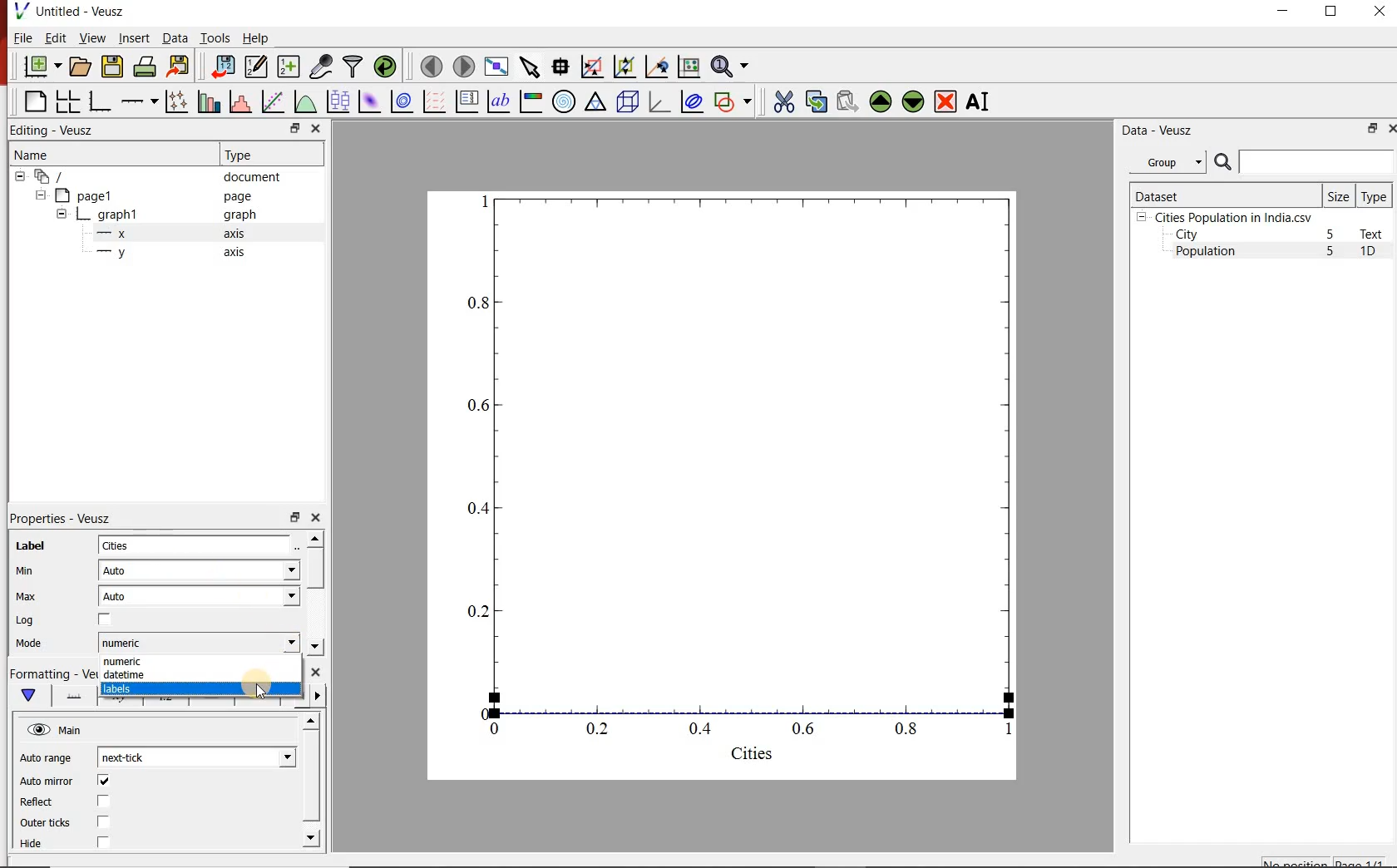  I want to click on create new datasets using available options, so click(286, 67).